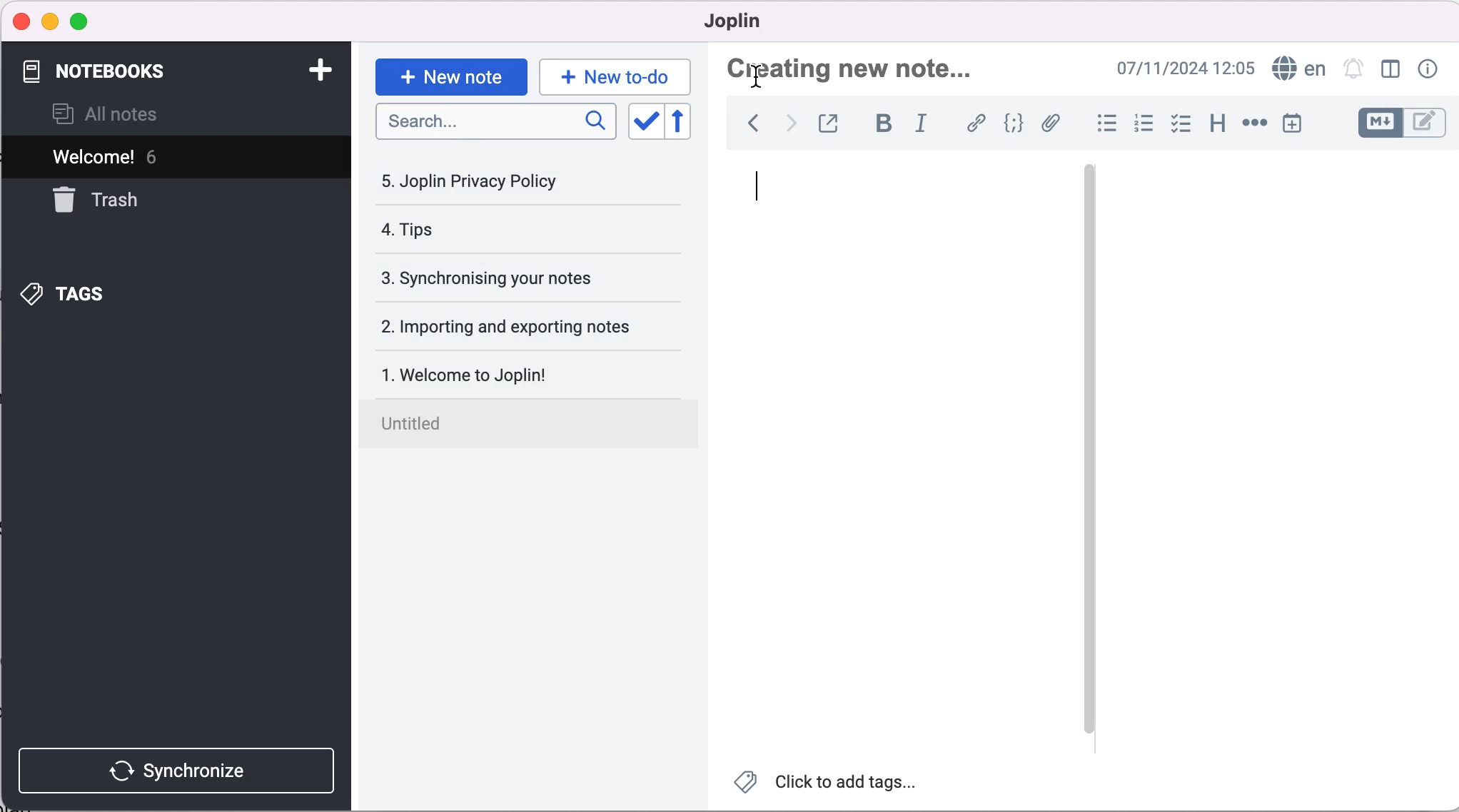 The image size is (1459, 812). I want to click on close, so click(19, 22).